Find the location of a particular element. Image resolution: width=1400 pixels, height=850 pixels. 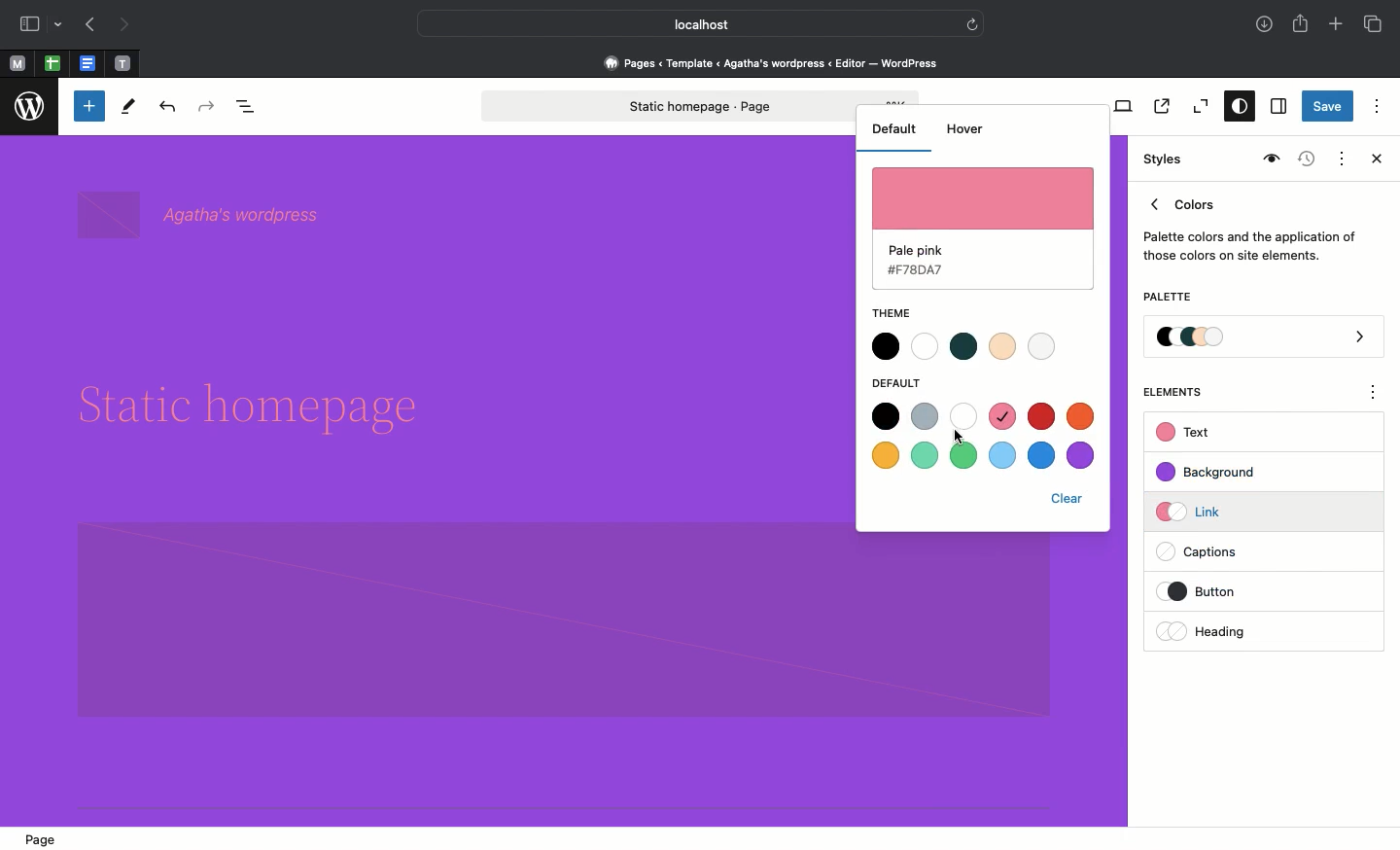

Theme colors is located at coordinates (973, 346).